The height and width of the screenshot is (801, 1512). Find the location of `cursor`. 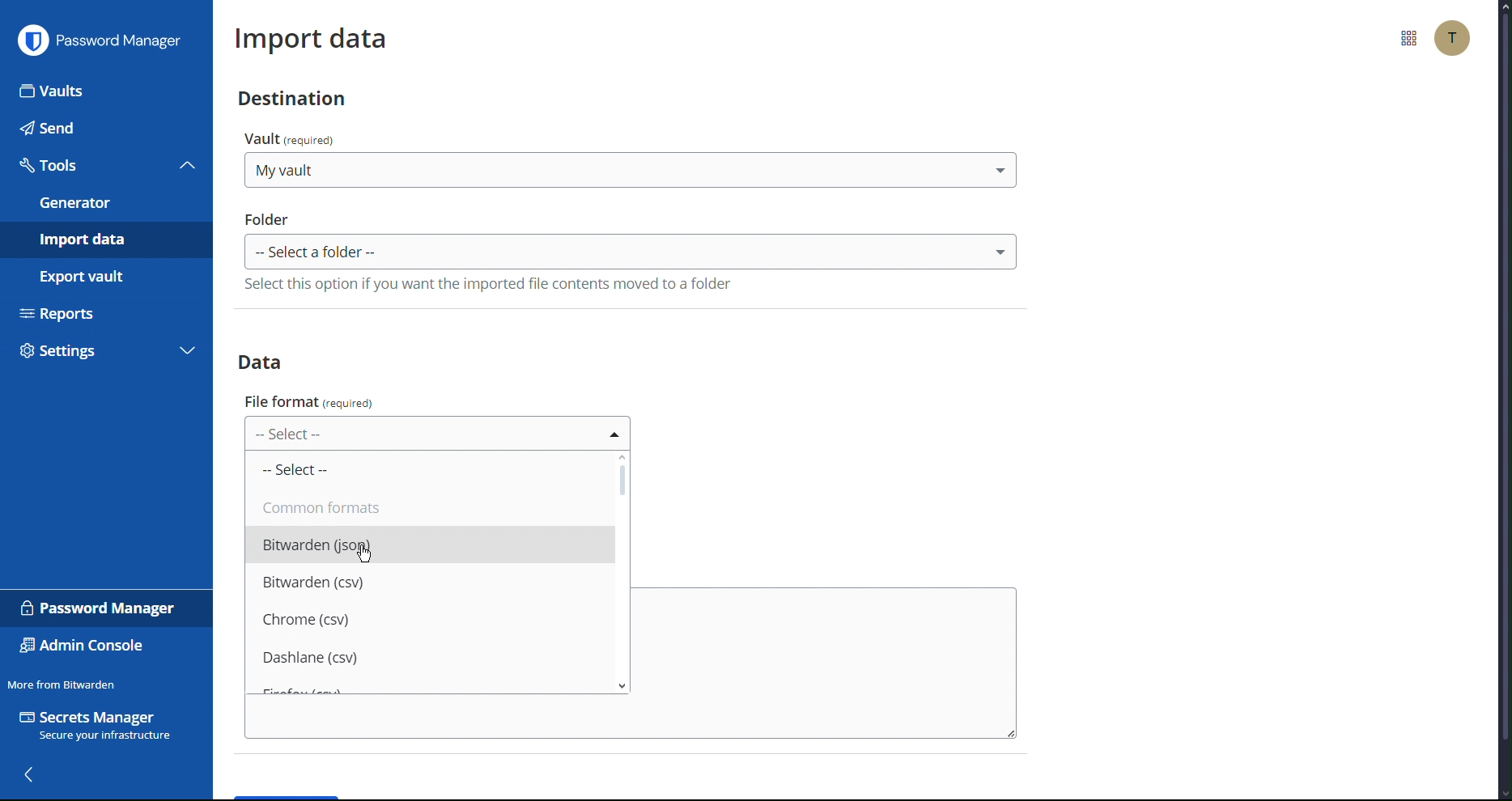

cursor is located at coordinates (366, 553).